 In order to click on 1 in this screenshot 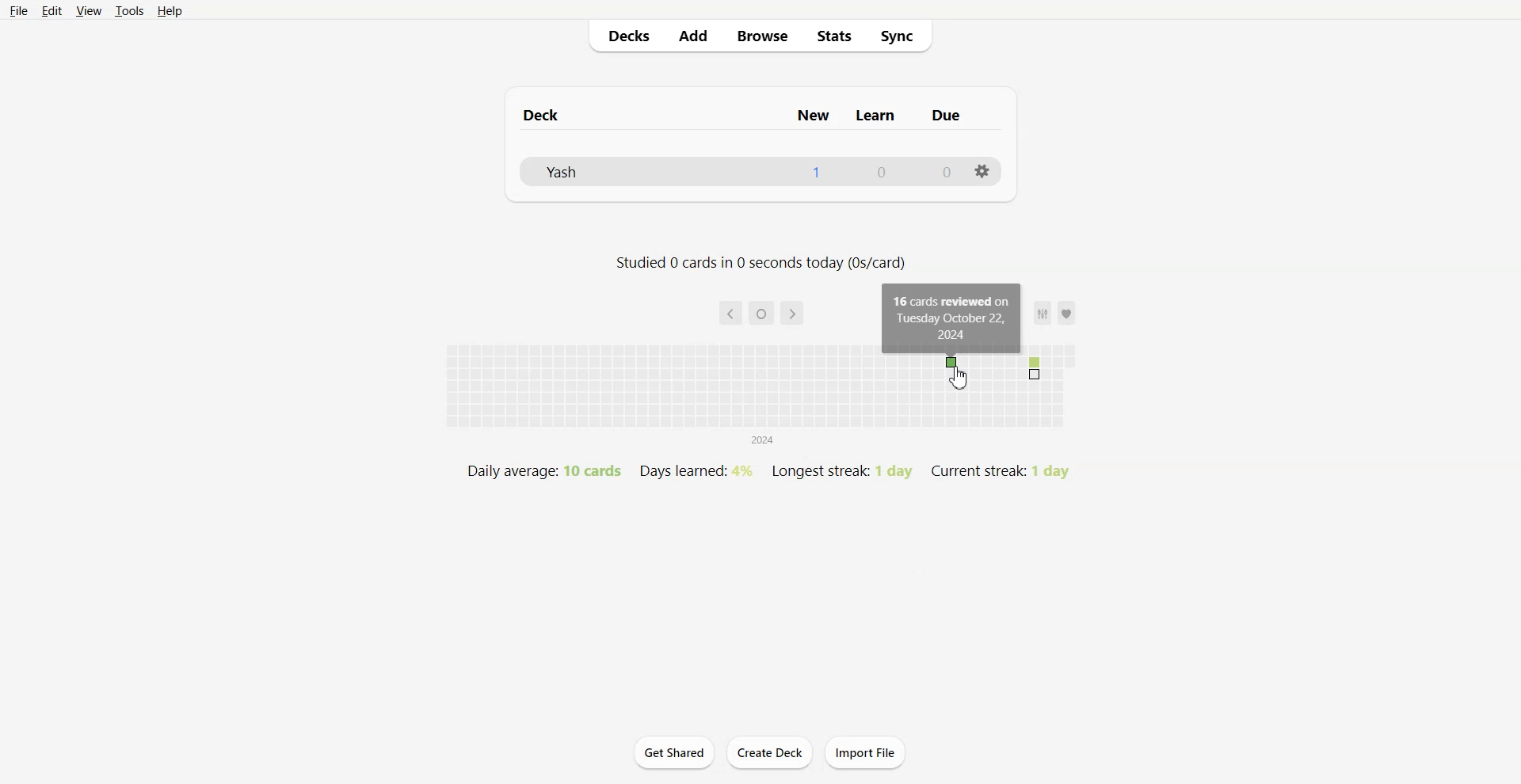, I will do `click(816, 171)`.